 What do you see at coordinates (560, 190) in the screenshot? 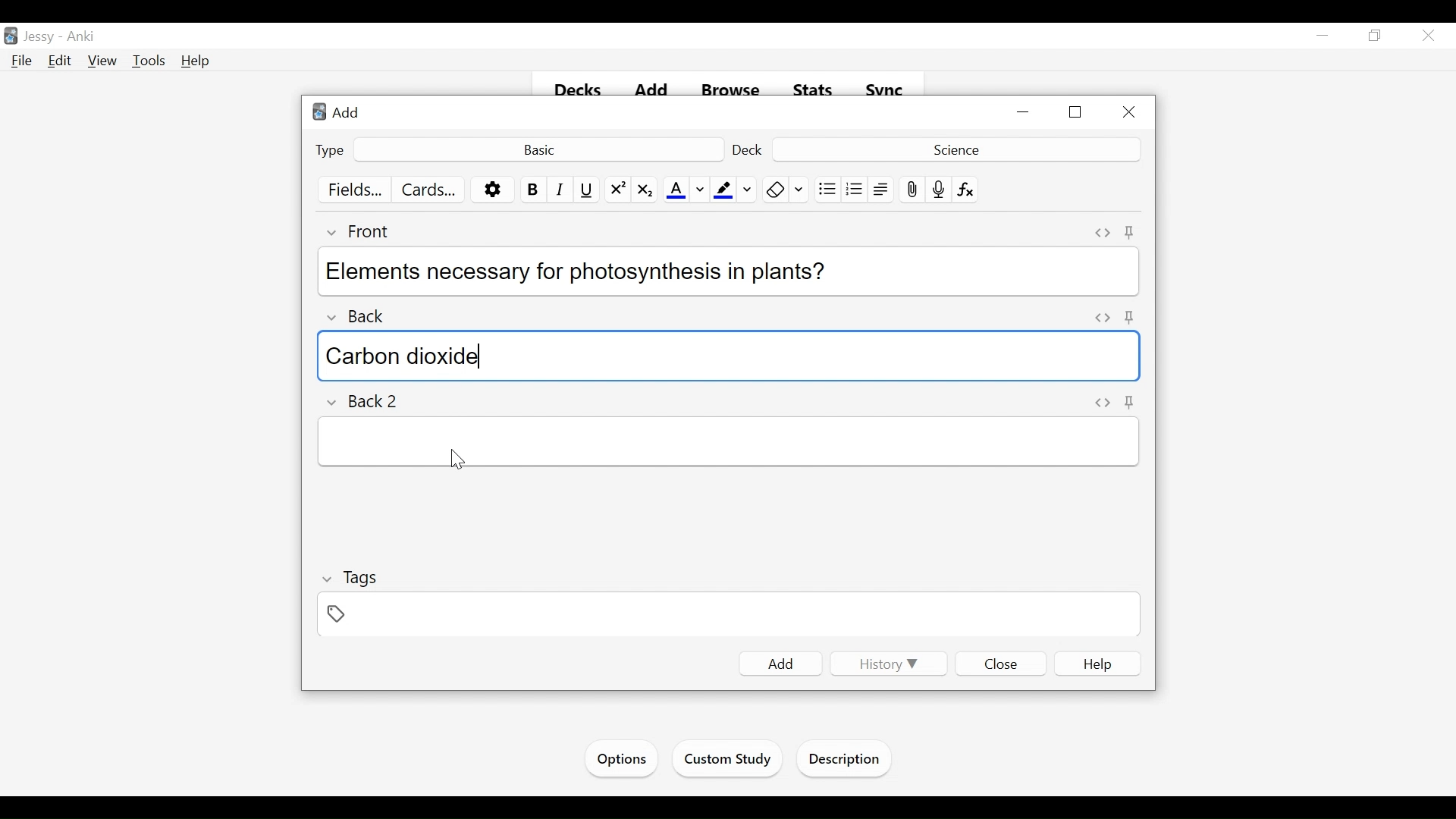
I see `Italics` at bounding box center [560, 190].